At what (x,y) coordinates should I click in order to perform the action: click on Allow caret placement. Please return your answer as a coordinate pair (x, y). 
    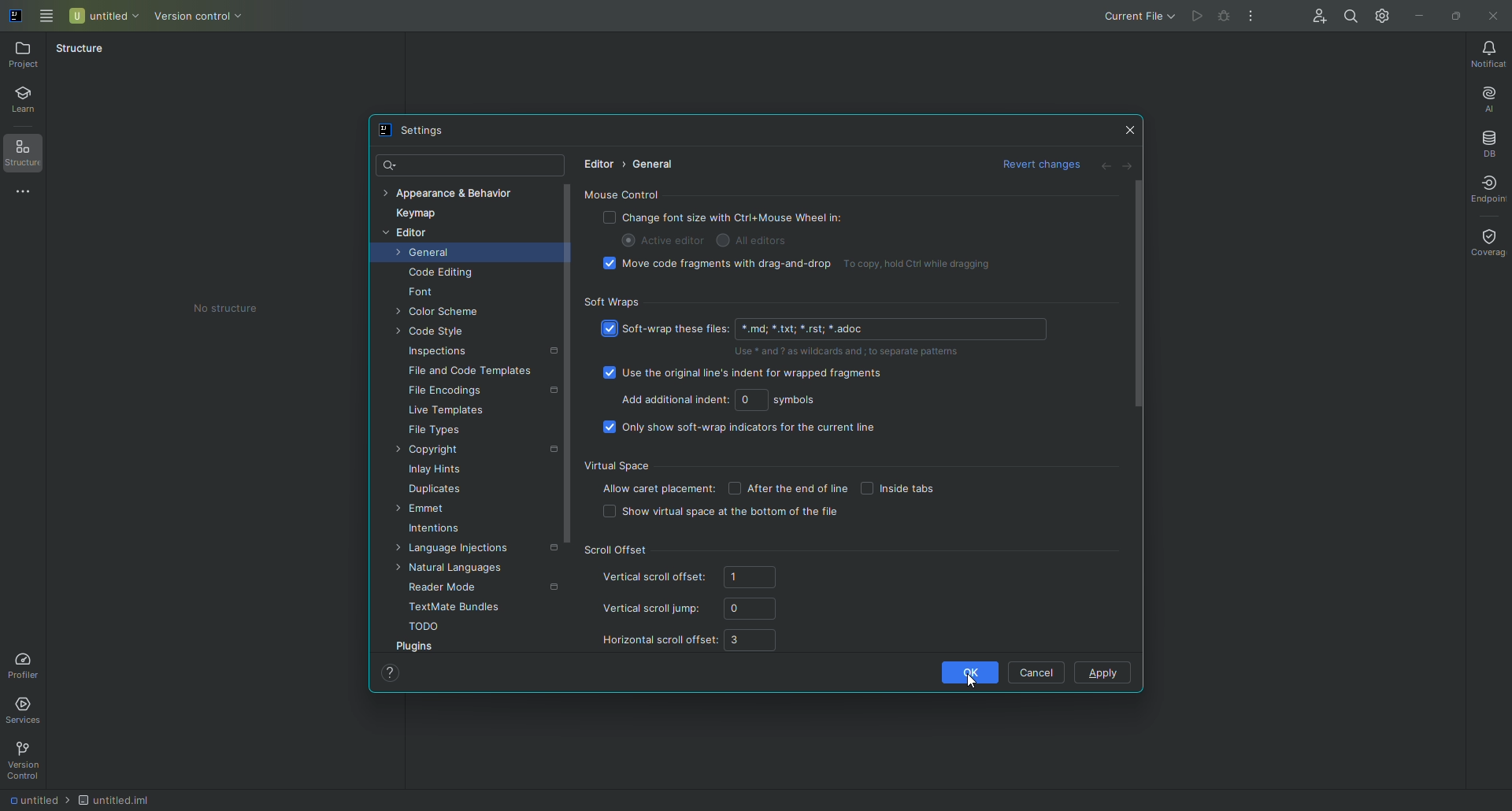
    Looking at the image, I should click on (658, 487).